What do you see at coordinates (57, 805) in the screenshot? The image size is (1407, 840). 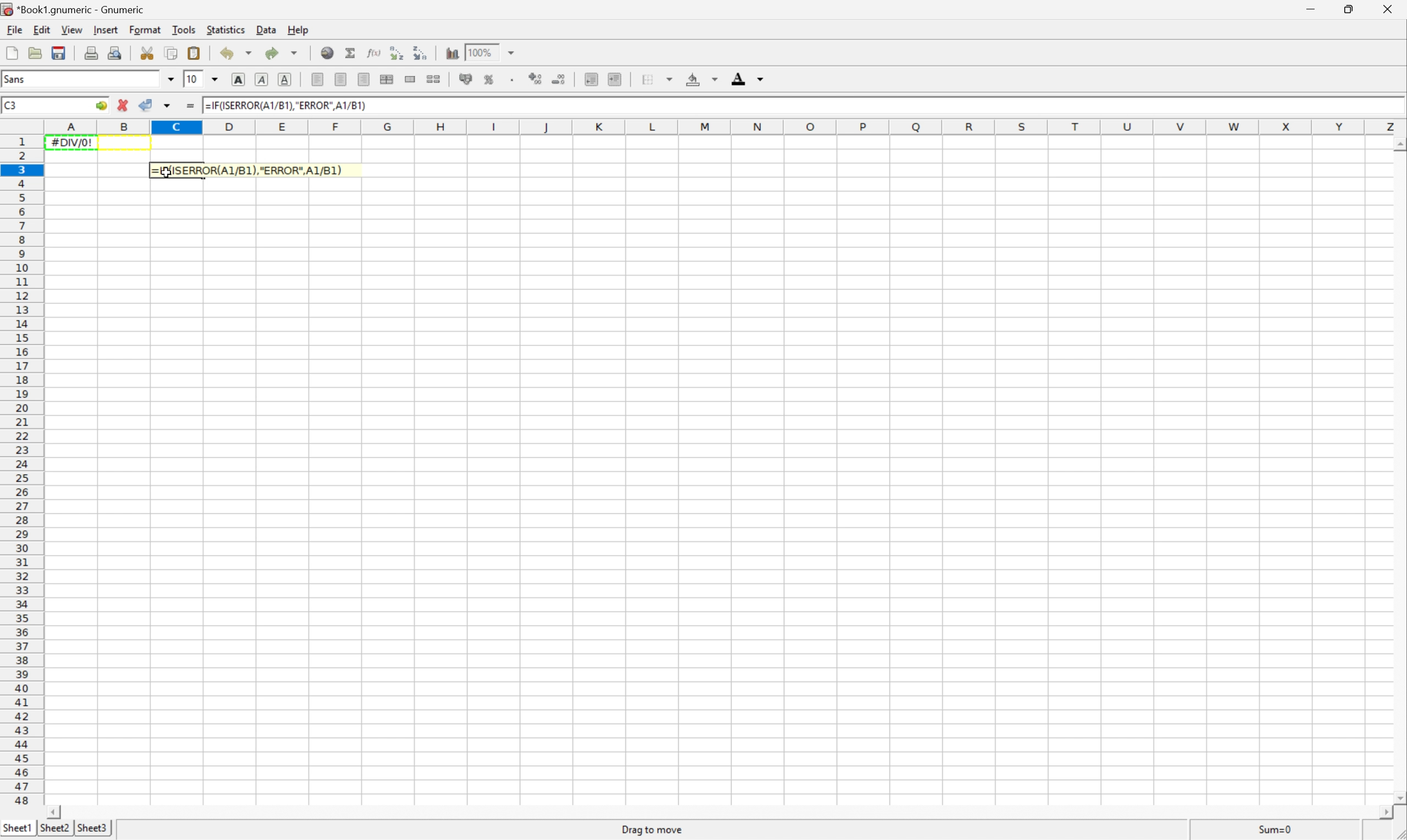 I see `Scroll left` at bounding box center [57, 805].